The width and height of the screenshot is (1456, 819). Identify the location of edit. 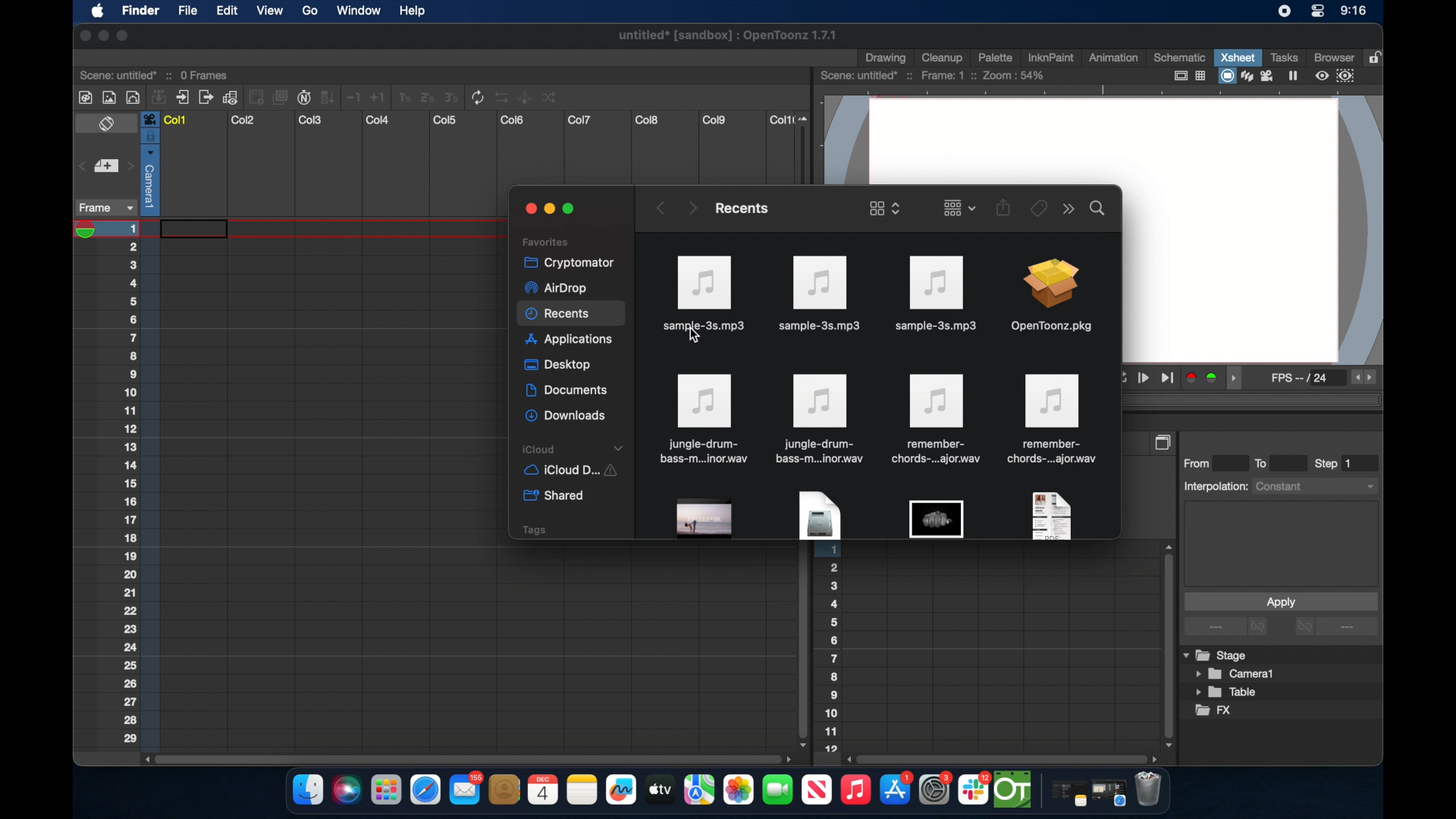
(226, 11).